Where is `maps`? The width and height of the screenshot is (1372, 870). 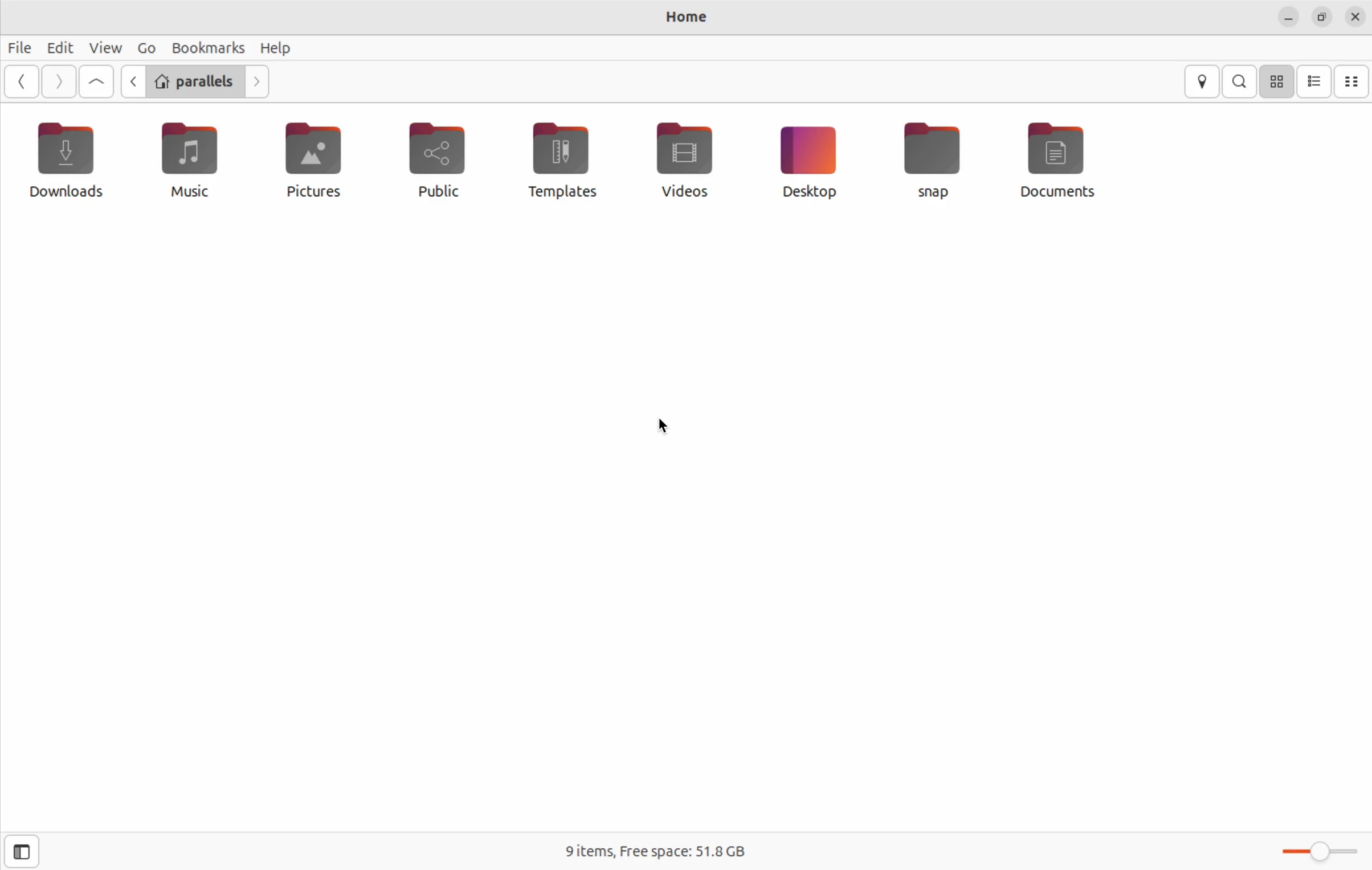
maps is located at coordinates (1201, 81).